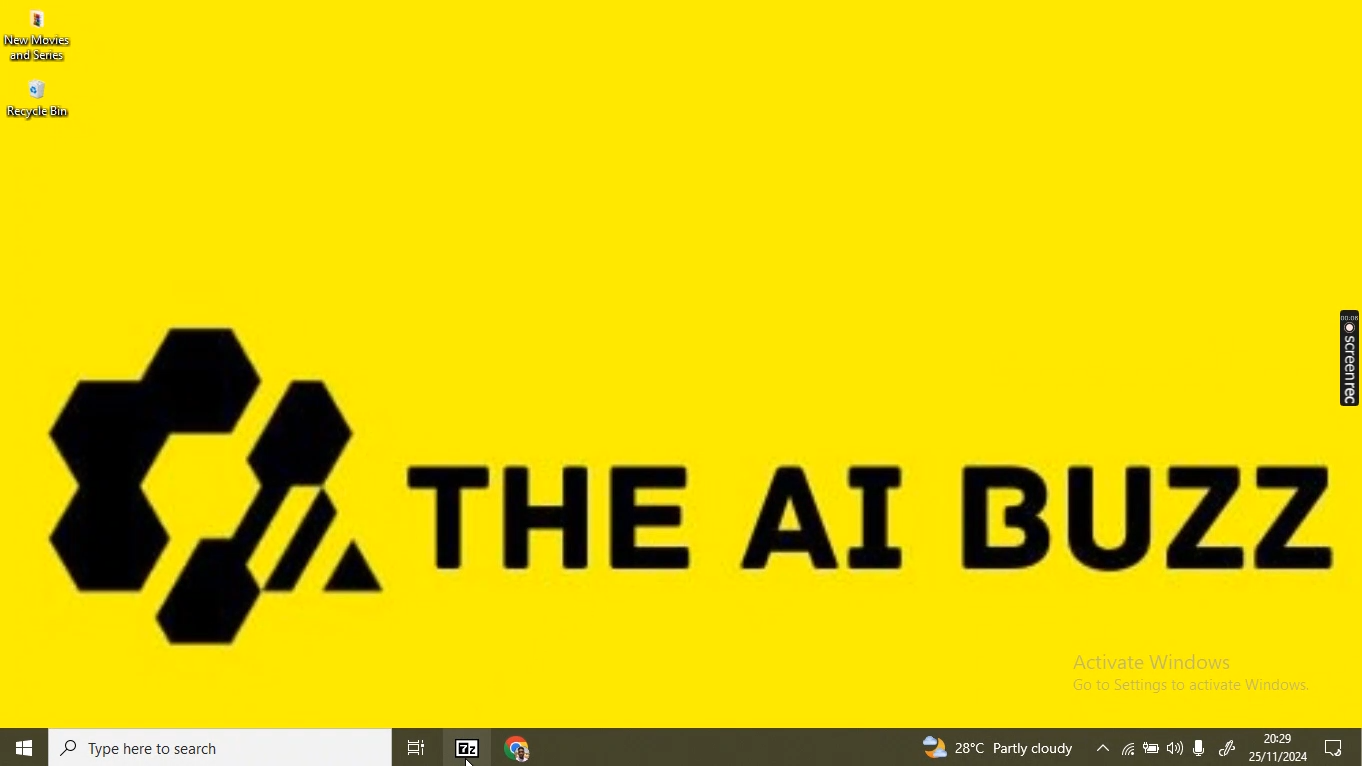  I want to click on show hidden icon, so click(1103, 749).